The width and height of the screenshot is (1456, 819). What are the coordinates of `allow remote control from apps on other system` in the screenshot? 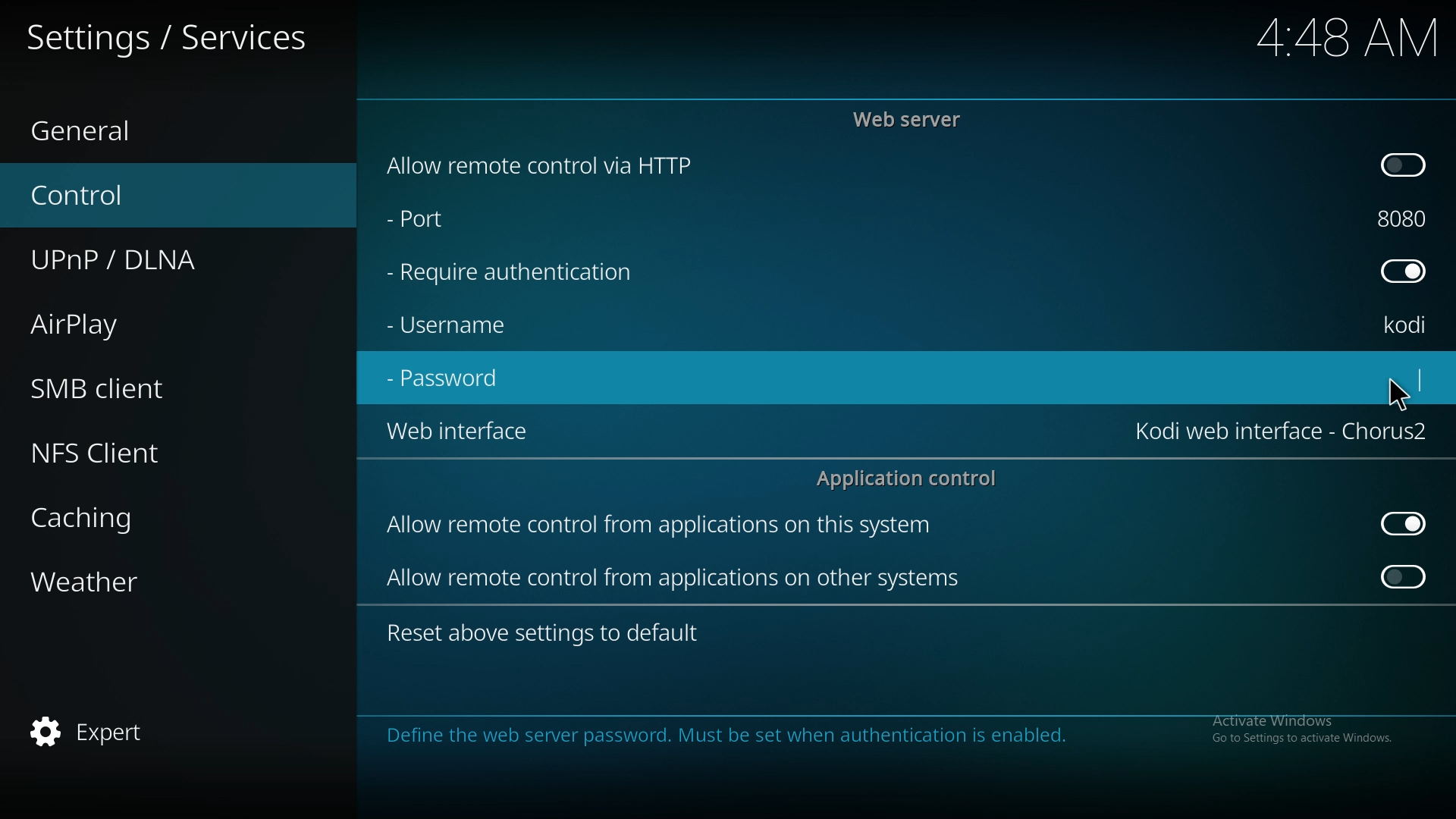 It's located at (681, 580).